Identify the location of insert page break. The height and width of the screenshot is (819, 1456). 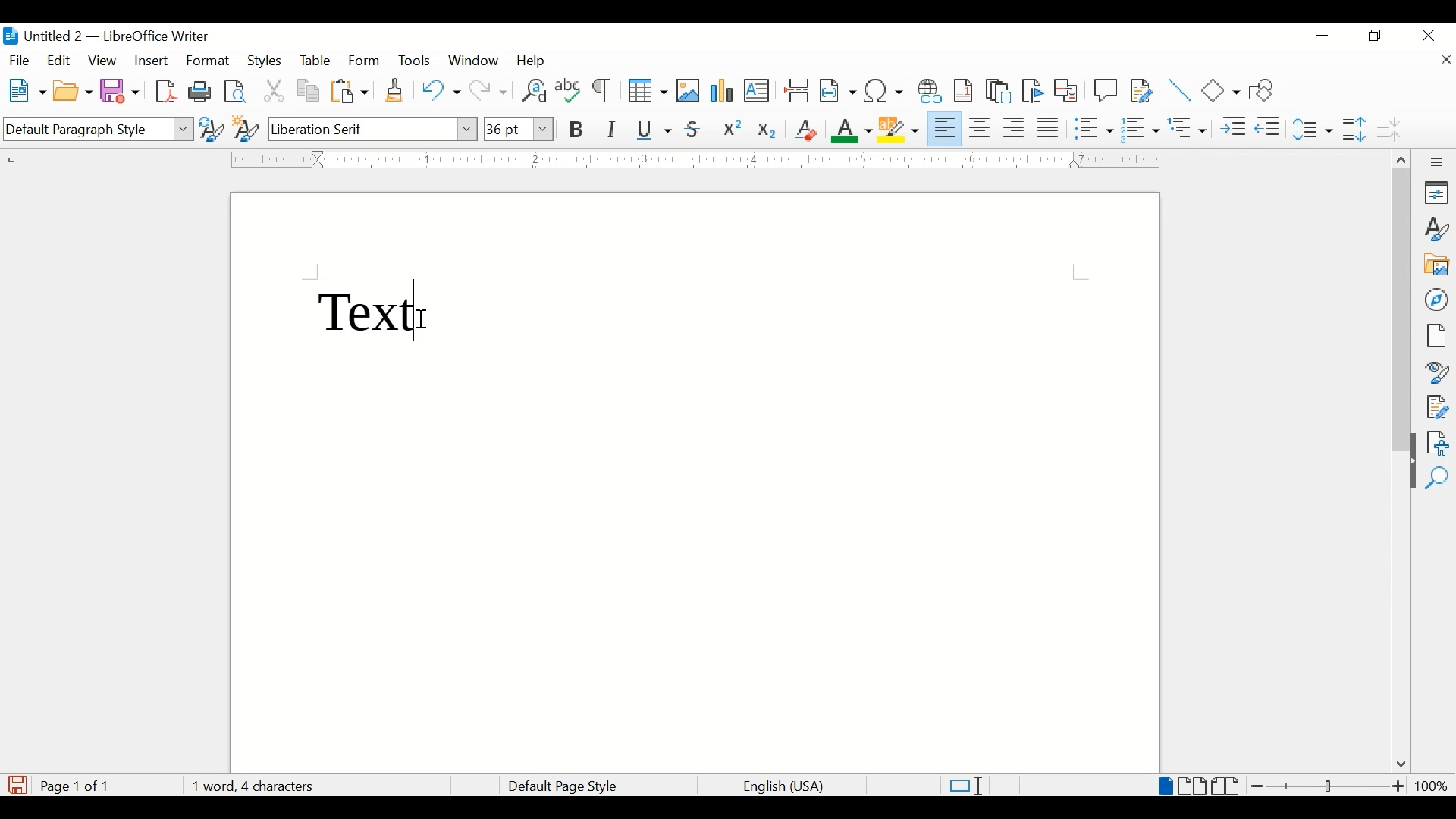
(796, 89).